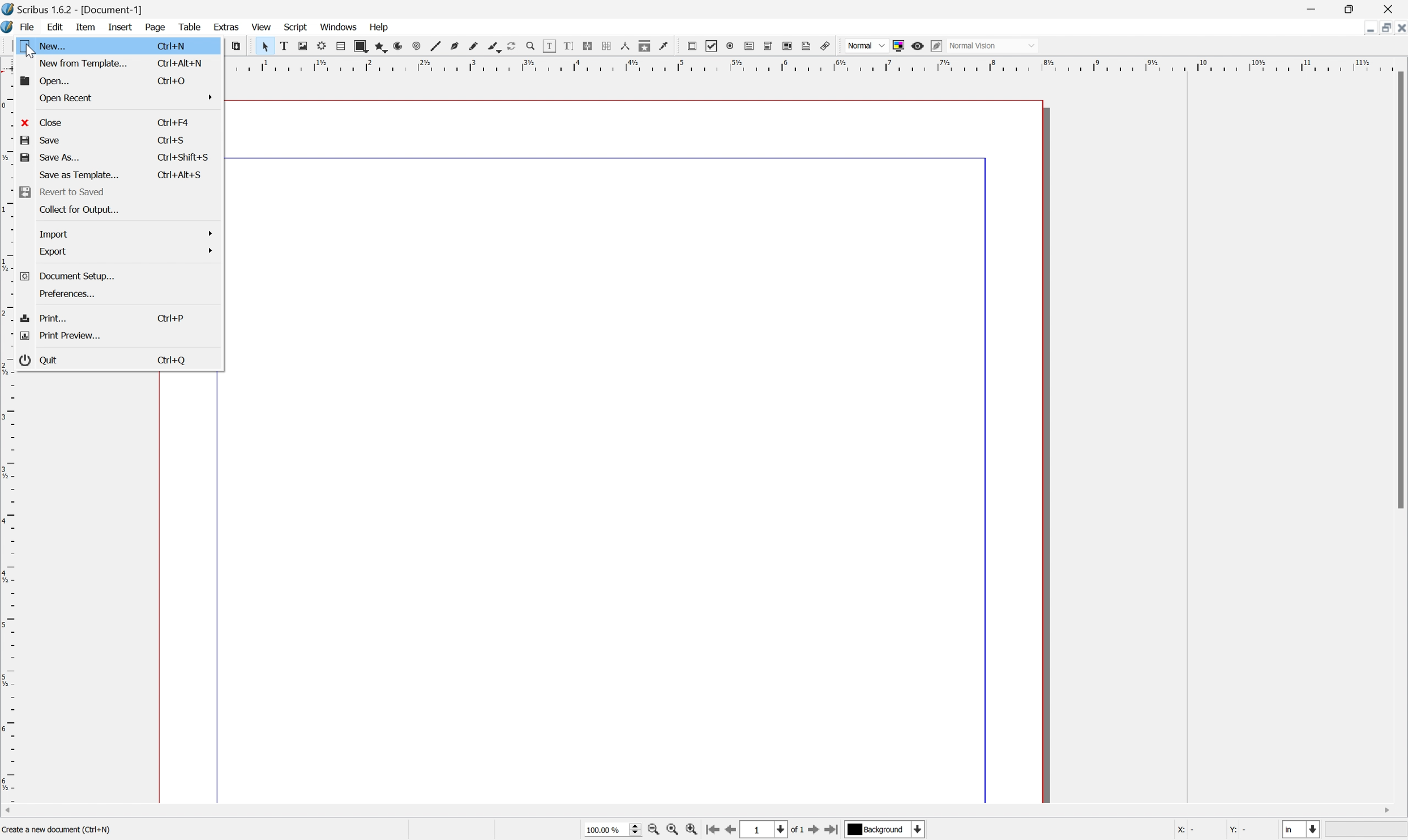 This screenshot has width=1408, height=840. I want to click on Freehand line, so click(472, 46).